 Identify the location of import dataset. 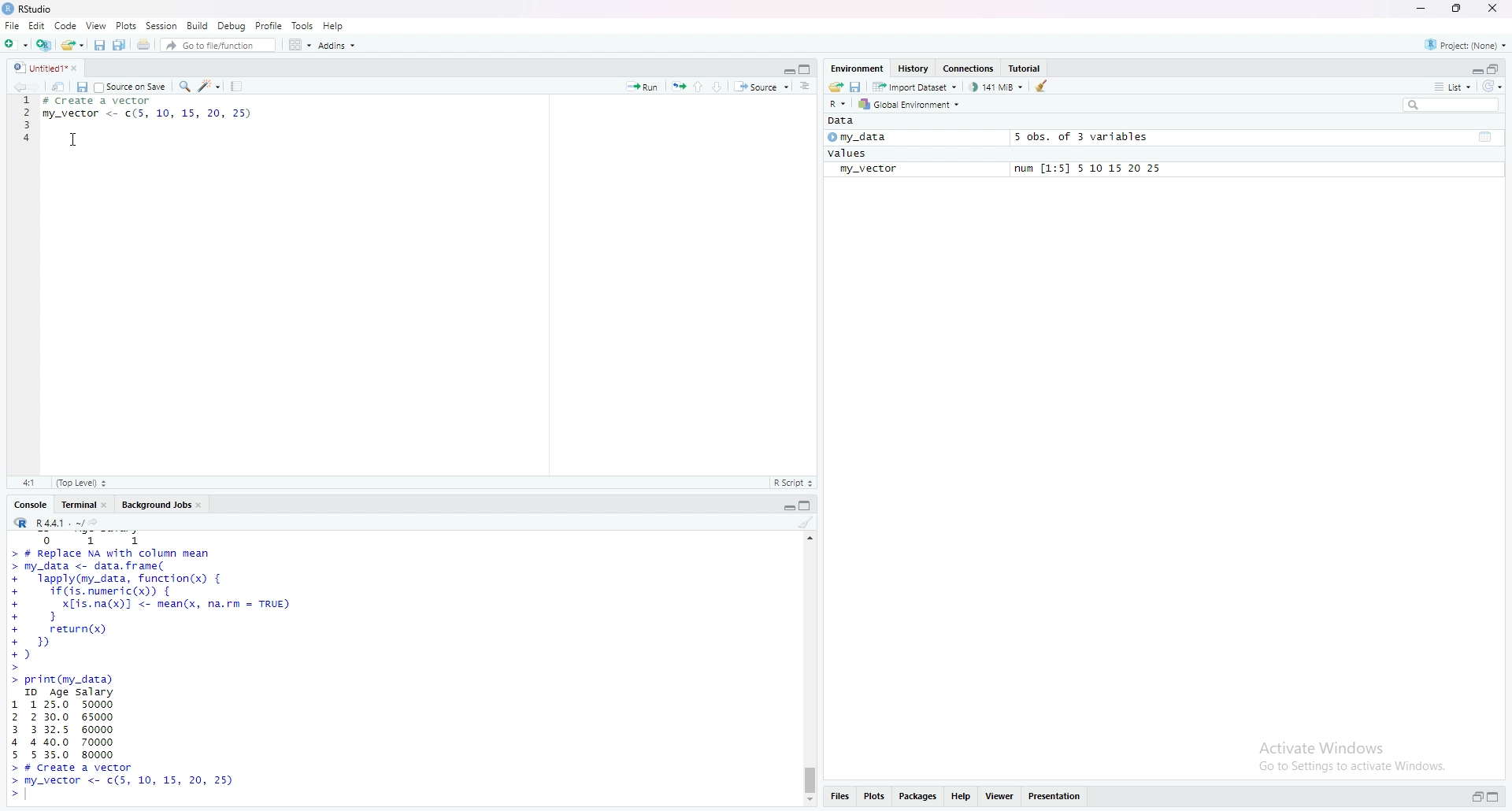
(915, 87).